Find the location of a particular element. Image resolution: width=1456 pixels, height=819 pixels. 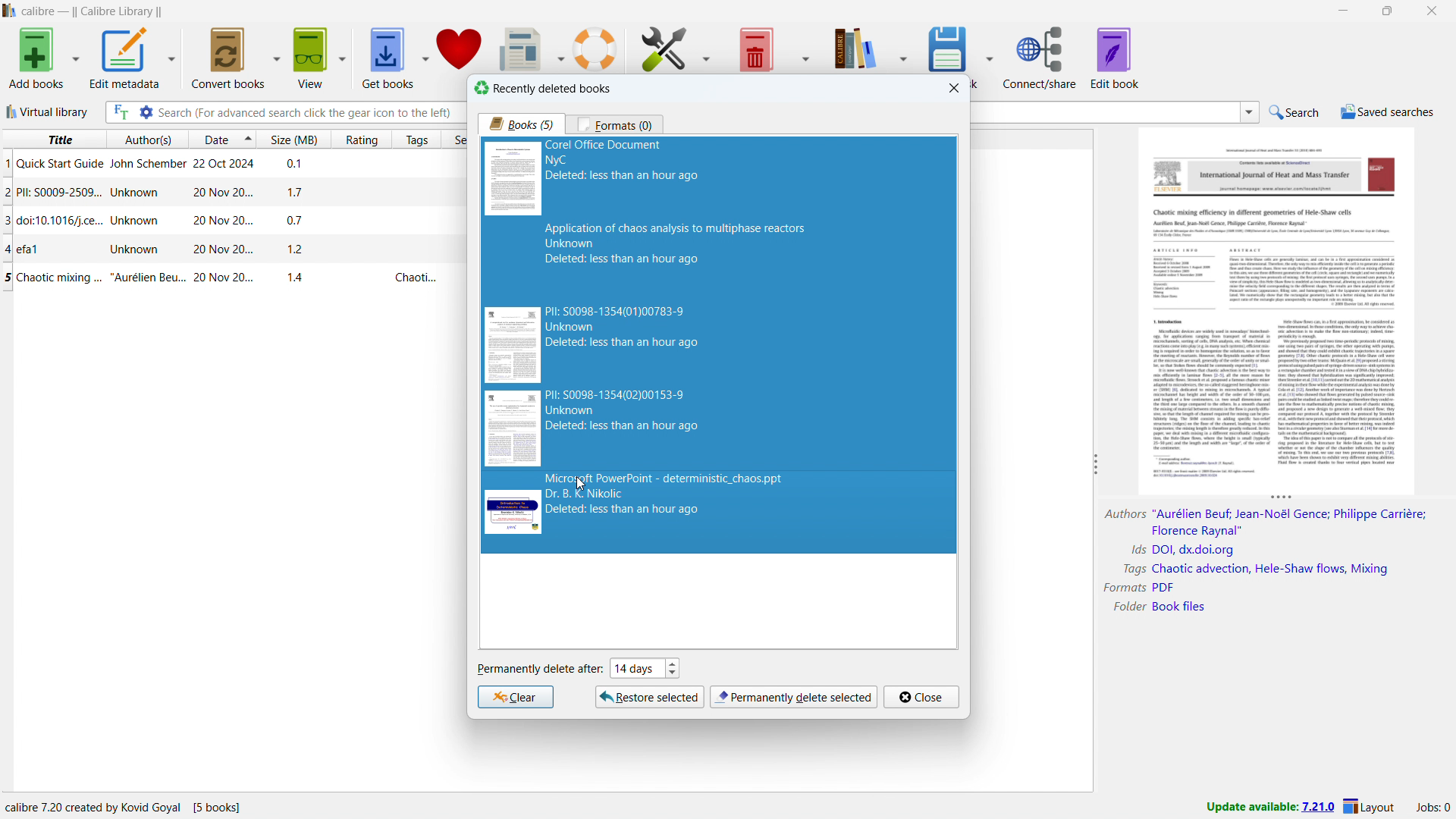

connect/share is located at coordinates (1040, 56).